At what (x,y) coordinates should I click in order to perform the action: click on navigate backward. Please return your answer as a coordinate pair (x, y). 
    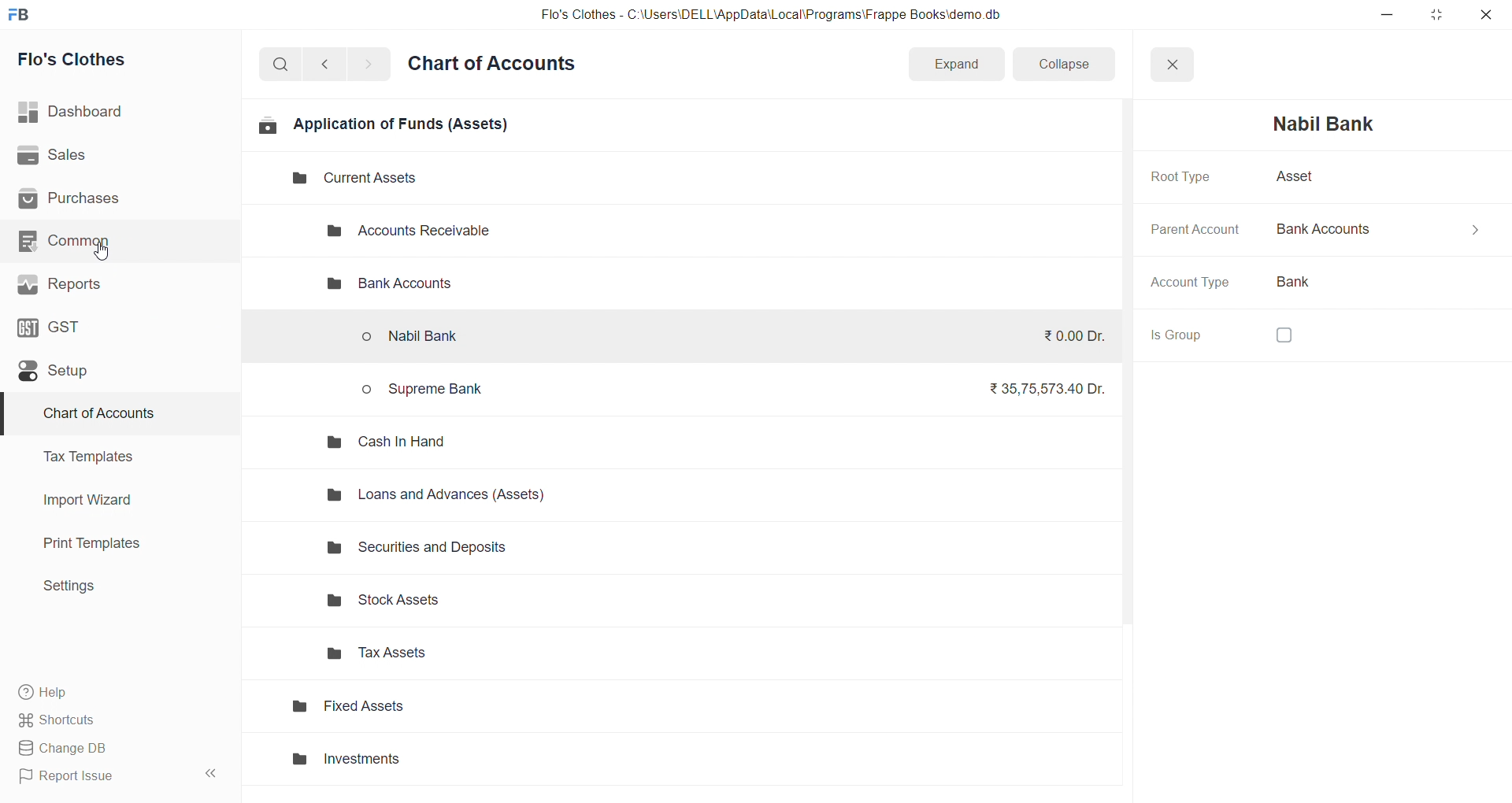
    Looking at the image, I should click on (332, 62).